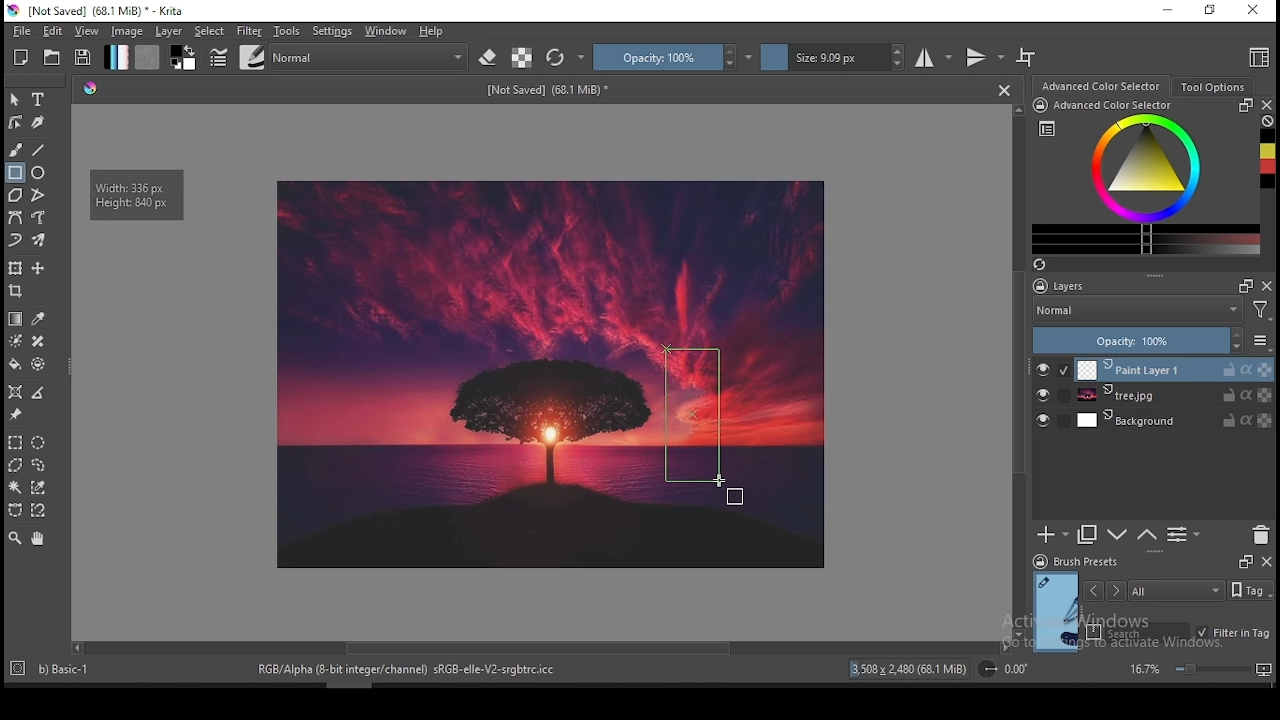 The width and height of the screenshot is (1280, 720). I want to click on calligraphy, so click(37, 122).